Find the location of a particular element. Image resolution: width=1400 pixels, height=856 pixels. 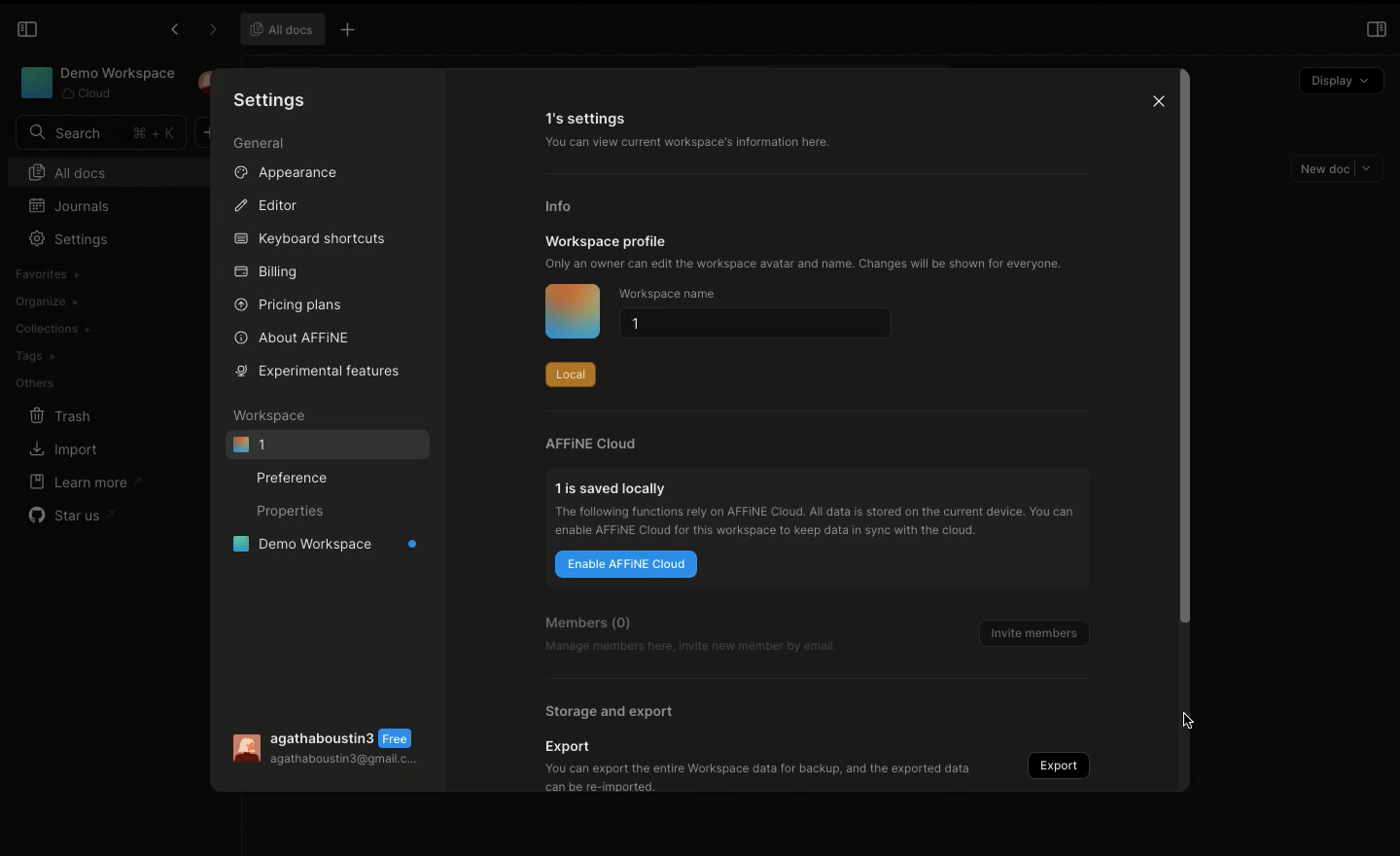

You can export the entire Workspace data for backup, and the exported datacan be re-imported. is located at coordinates (757, 778).